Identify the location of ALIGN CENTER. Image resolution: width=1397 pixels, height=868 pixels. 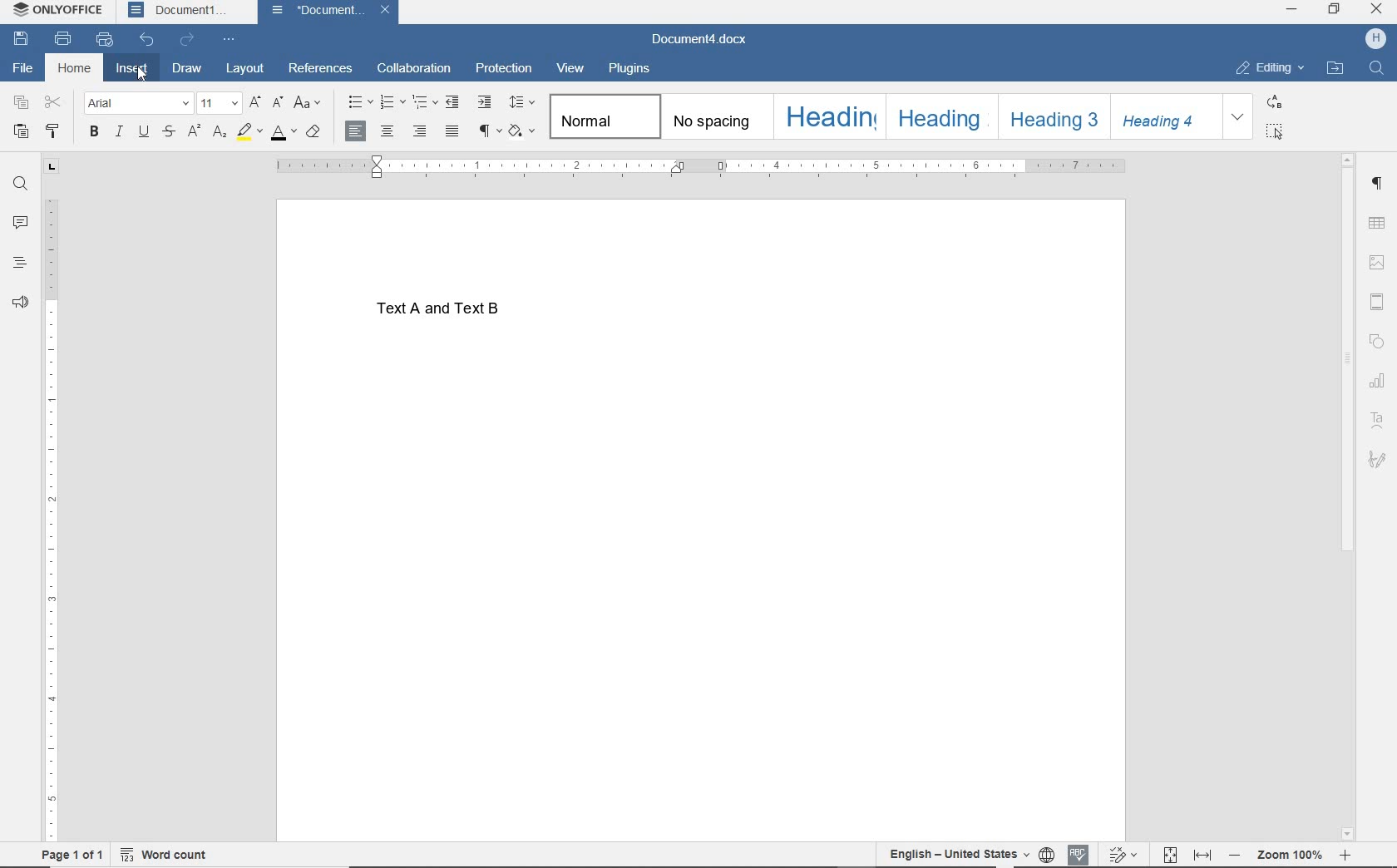
(388, 132).